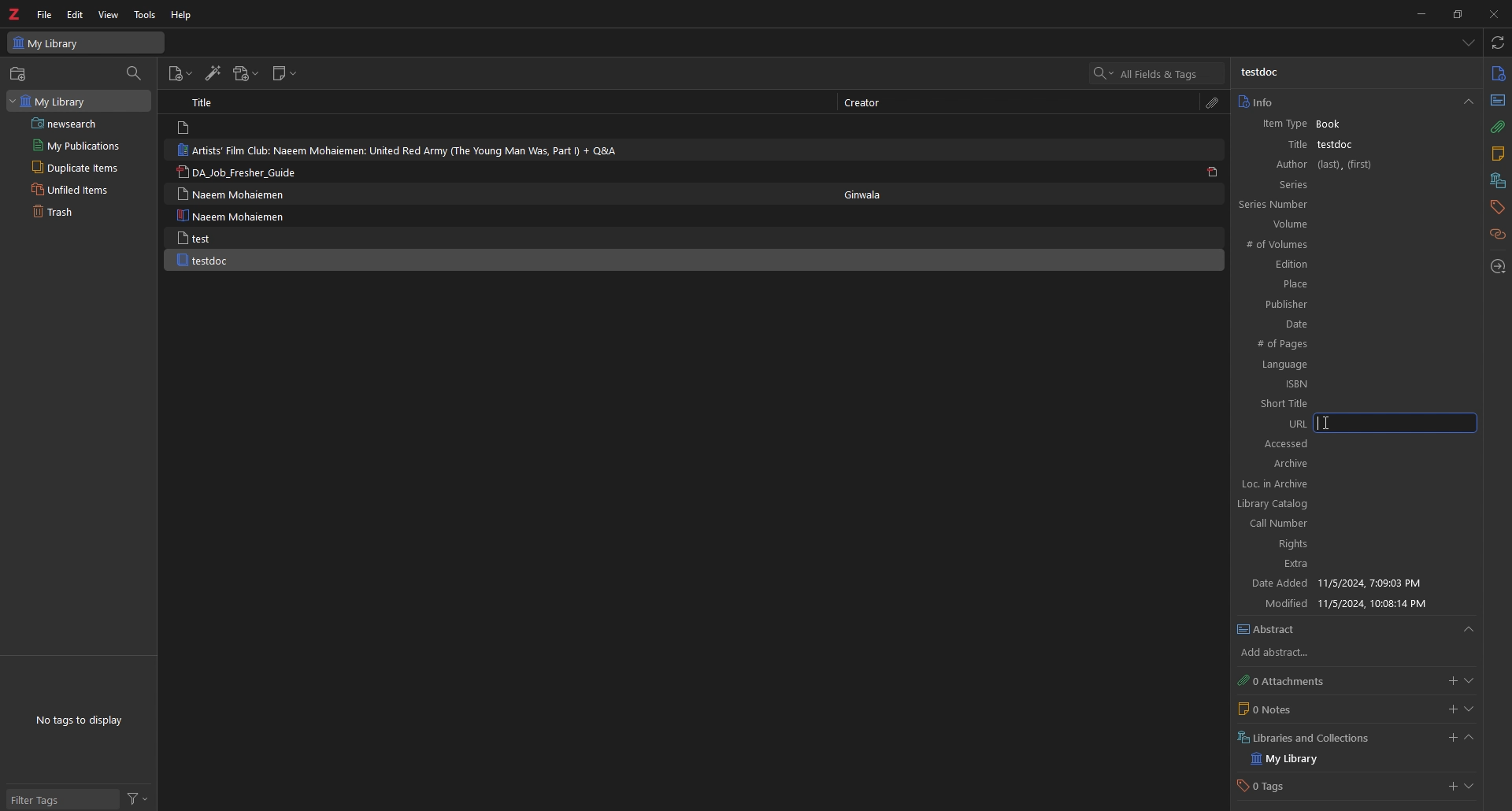 The width and height of the screenshot is (1512, 811). What do you see at coordinates (182, 16) in the screenshot?
I see `help` at bounding box center [182, 16].